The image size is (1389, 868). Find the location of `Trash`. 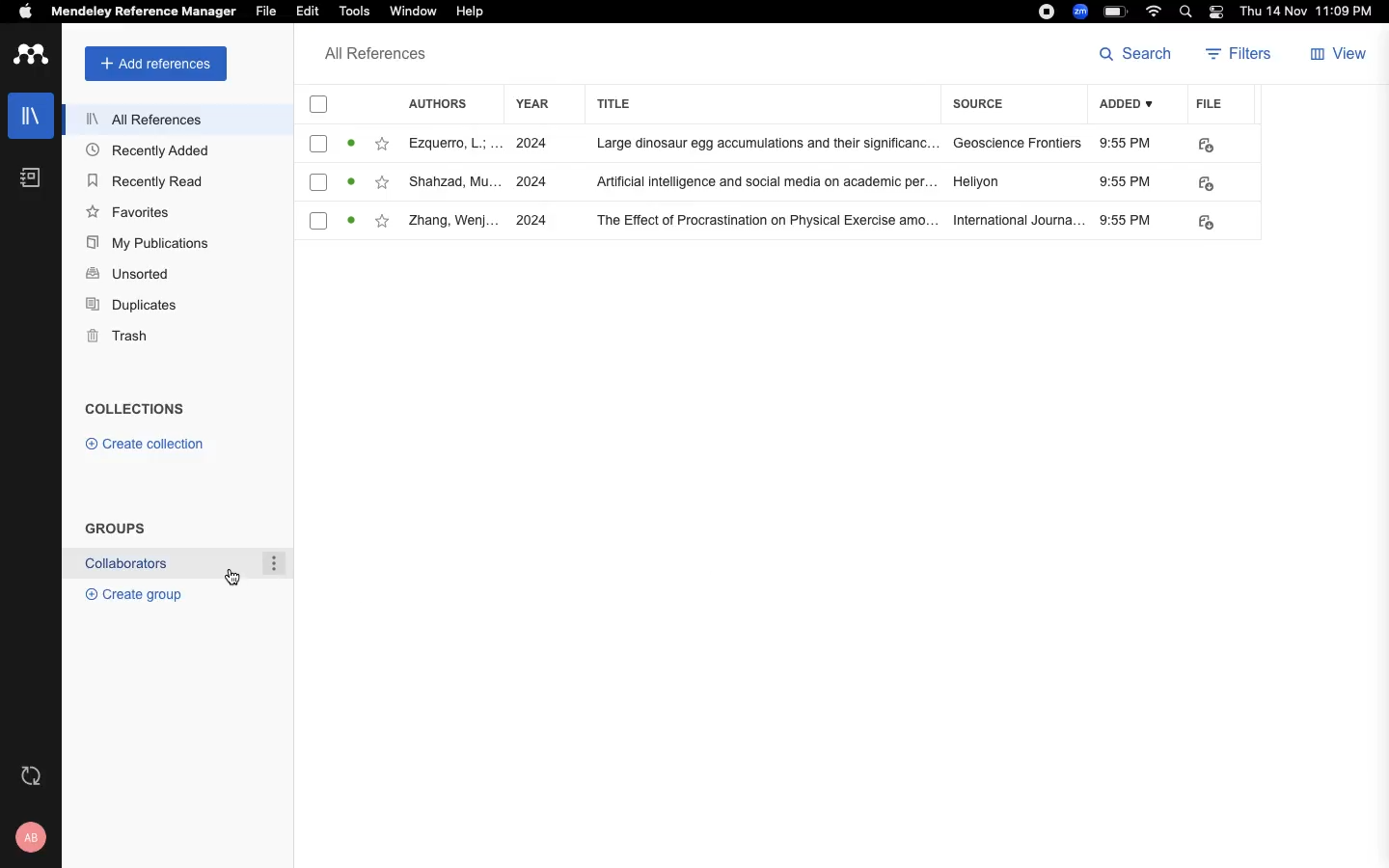

Trash is located at coordinates (125, 338).